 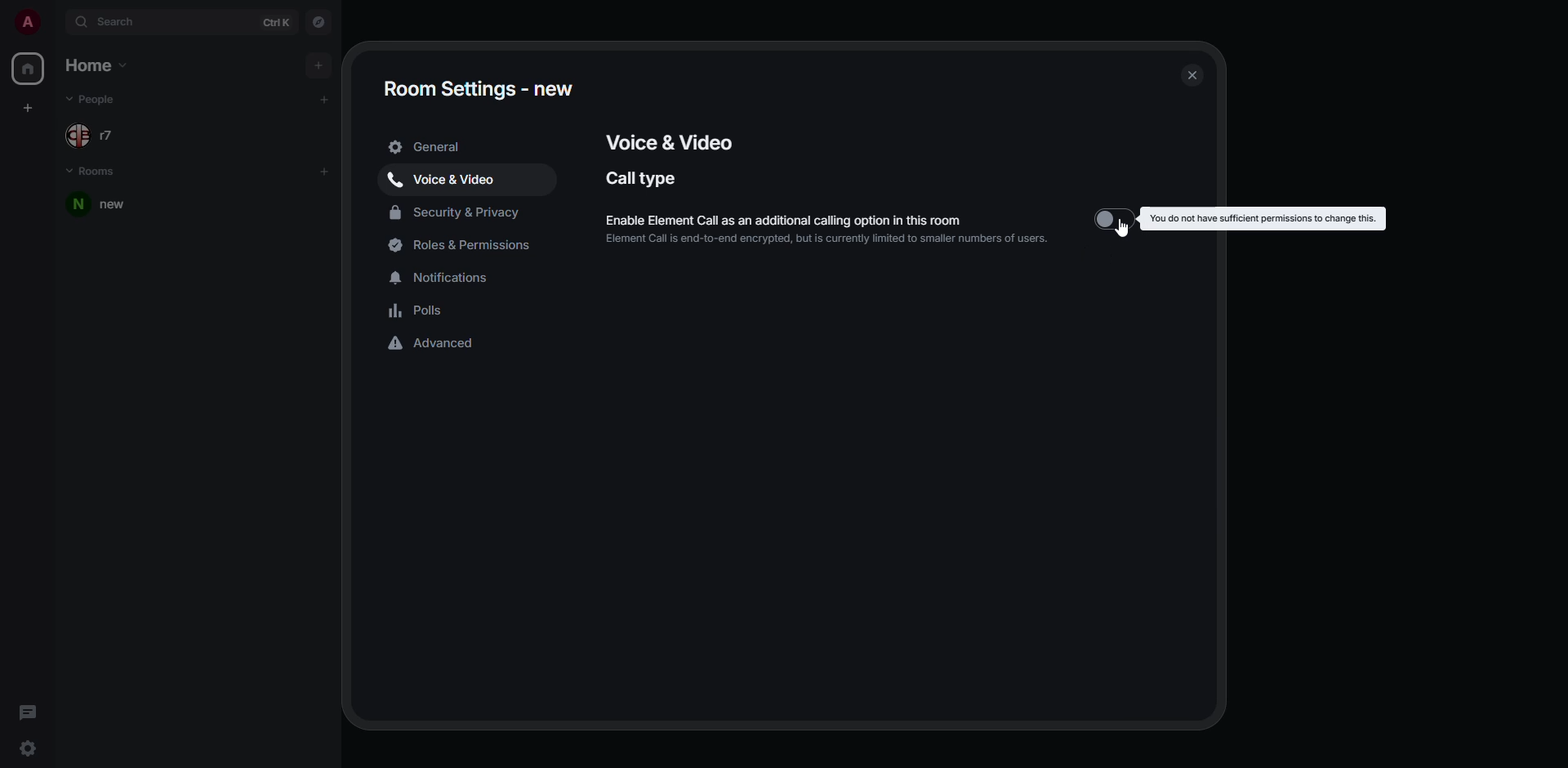 What do you see at coordinates (105, 65) in the screenshot?
I see `home` at bounding box center [105, 65].